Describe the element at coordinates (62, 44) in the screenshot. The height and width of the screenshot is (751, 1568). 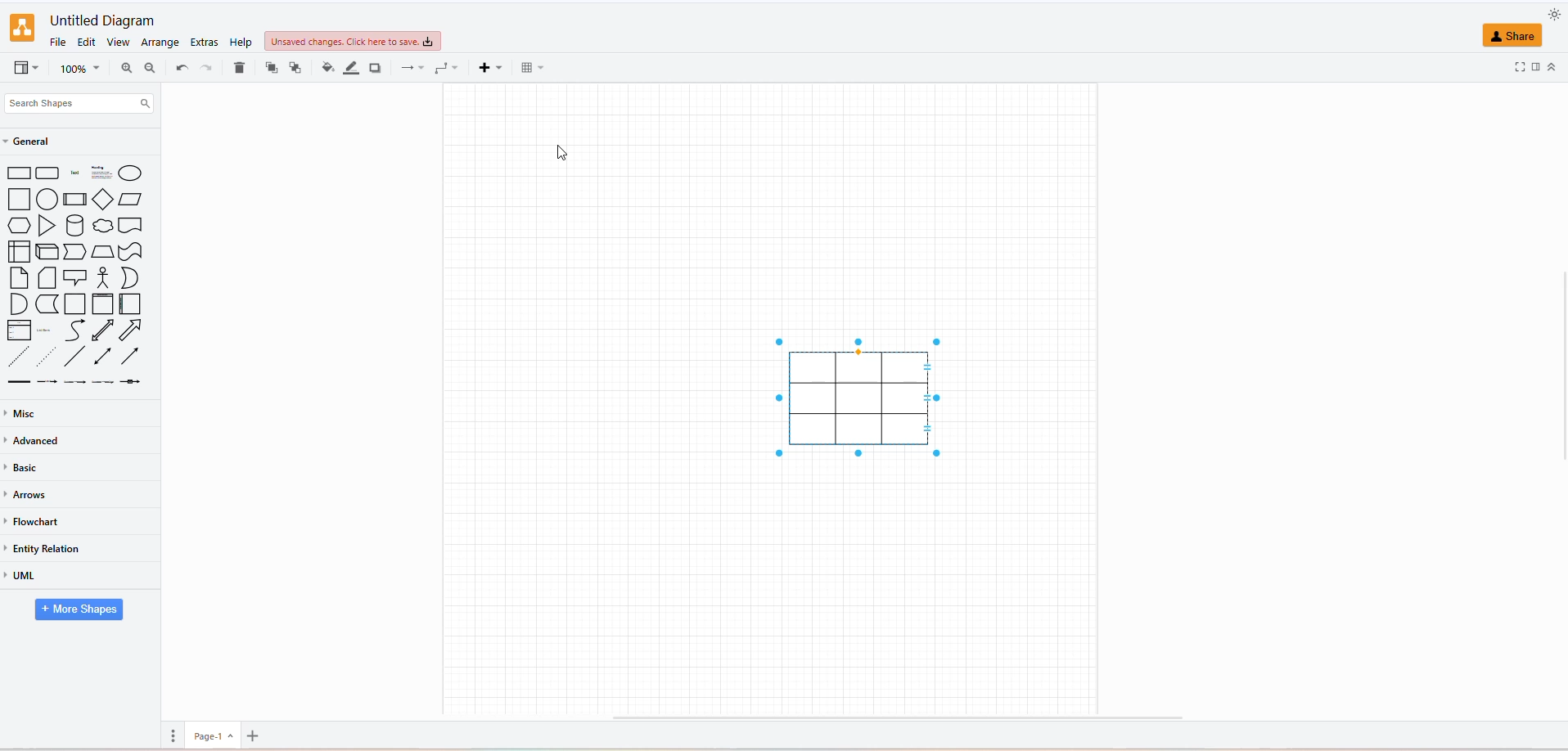
I see `file` at that location.